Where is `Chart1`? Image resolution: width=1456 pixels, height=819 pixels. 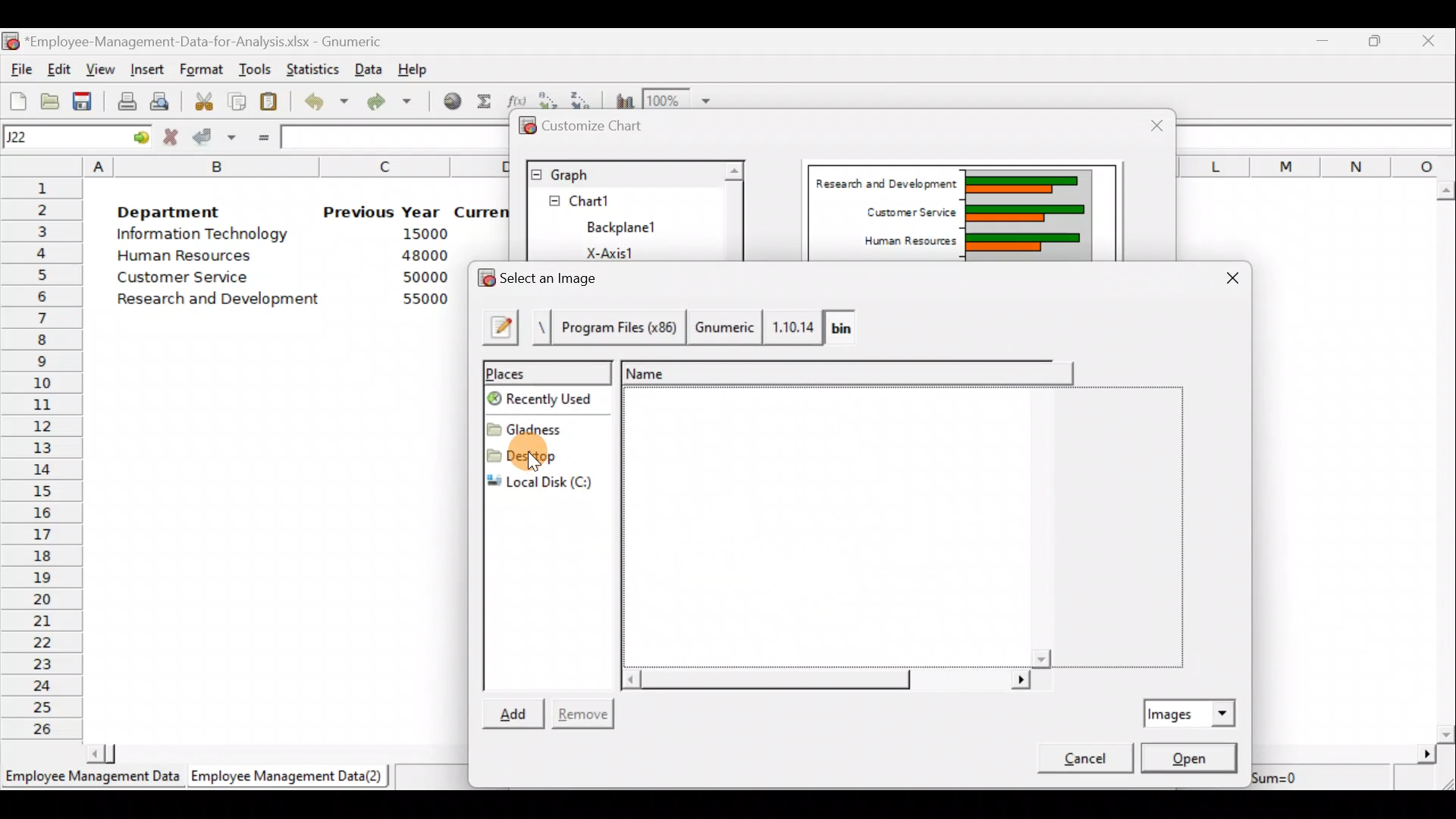
Chart1 is located at coordinates (604, 201).